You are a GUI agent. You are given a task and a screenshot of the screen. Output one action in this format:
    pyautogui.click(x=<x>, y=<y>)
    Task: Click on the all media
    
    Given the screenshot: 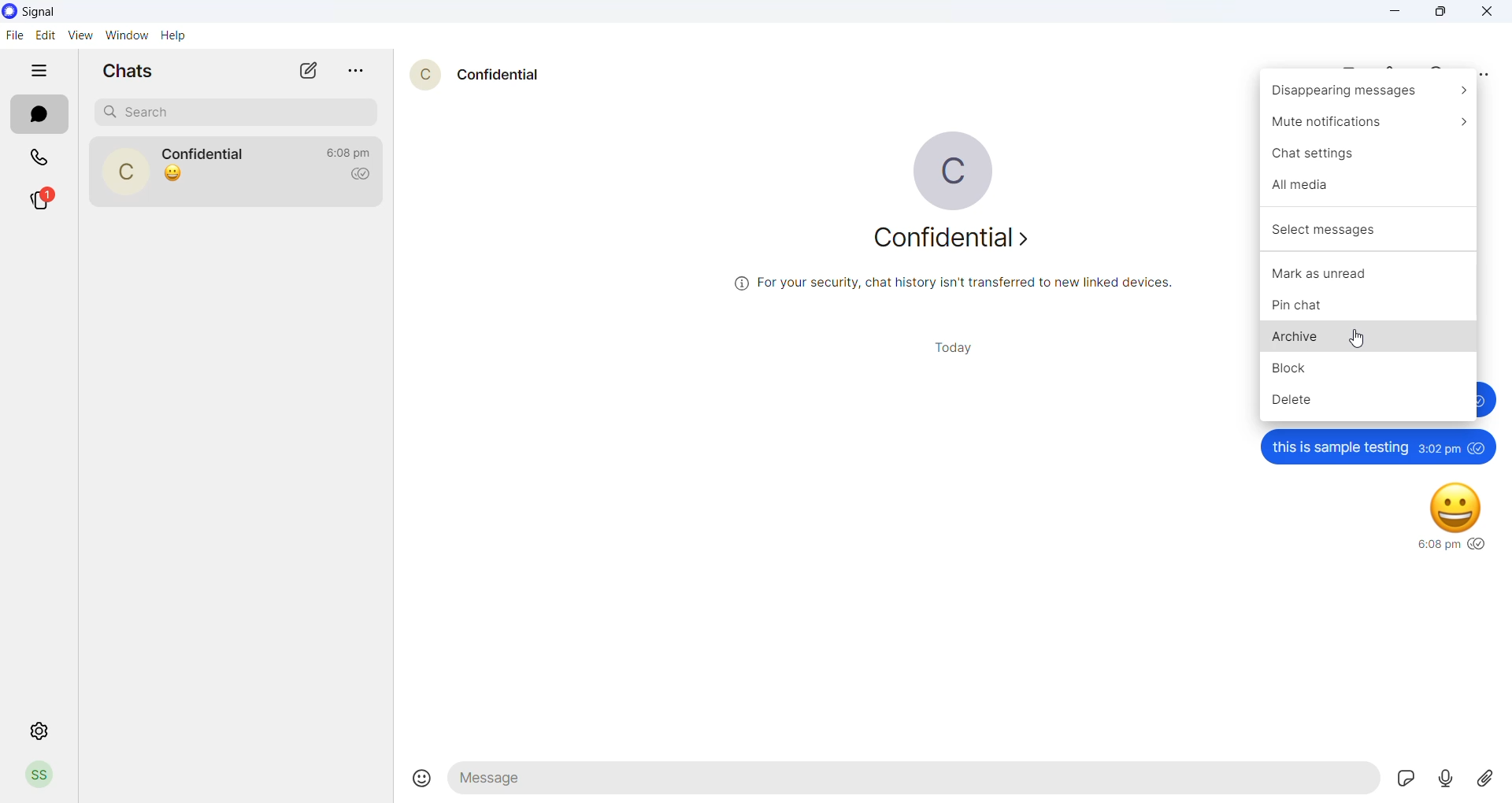 What is the action you would take?
    pyautogui.click(x=1367, y=185)
    